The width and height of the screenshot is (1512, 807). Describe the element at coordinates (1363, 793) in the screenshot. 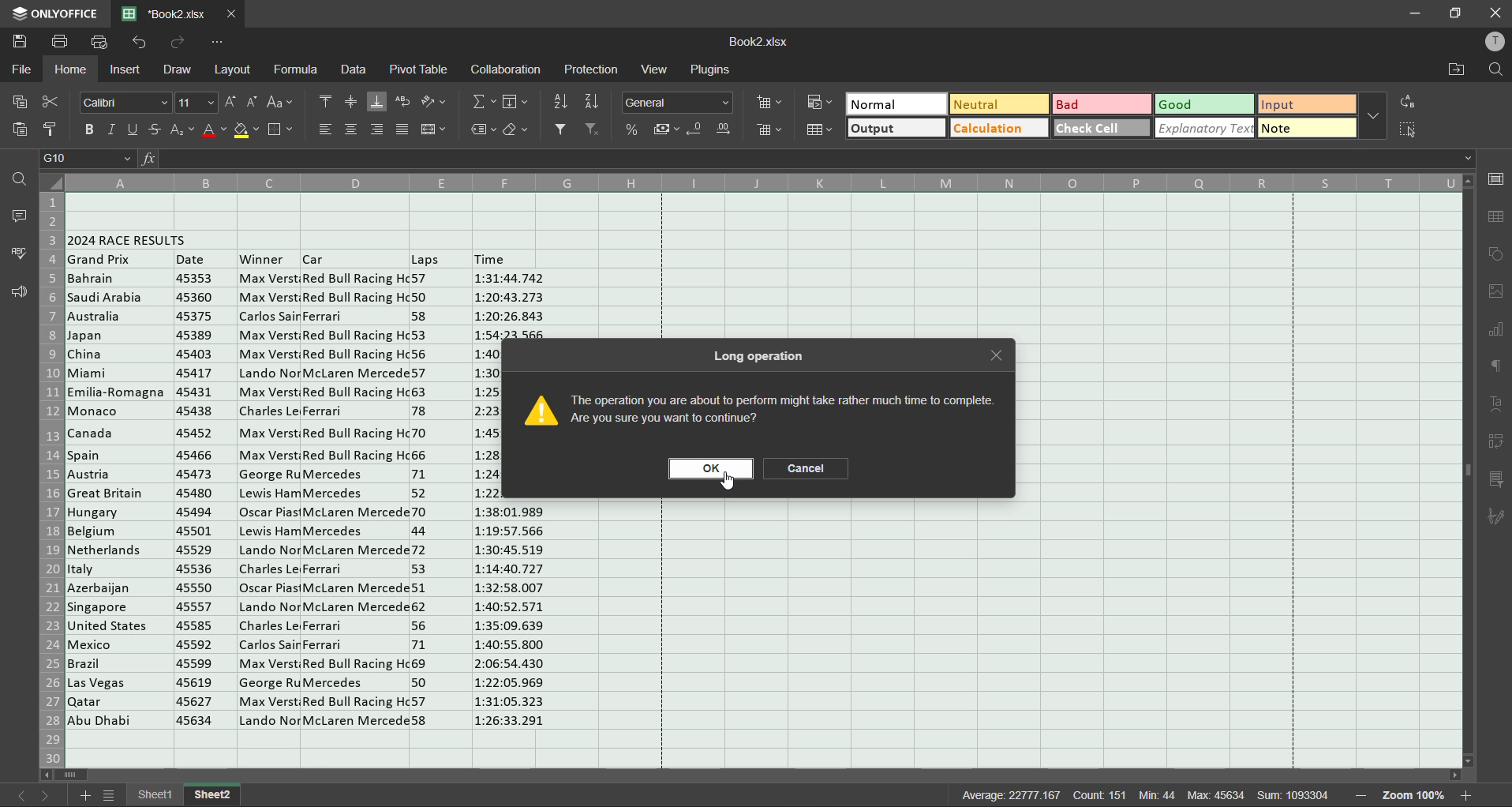

I see `zoom out` at that location.